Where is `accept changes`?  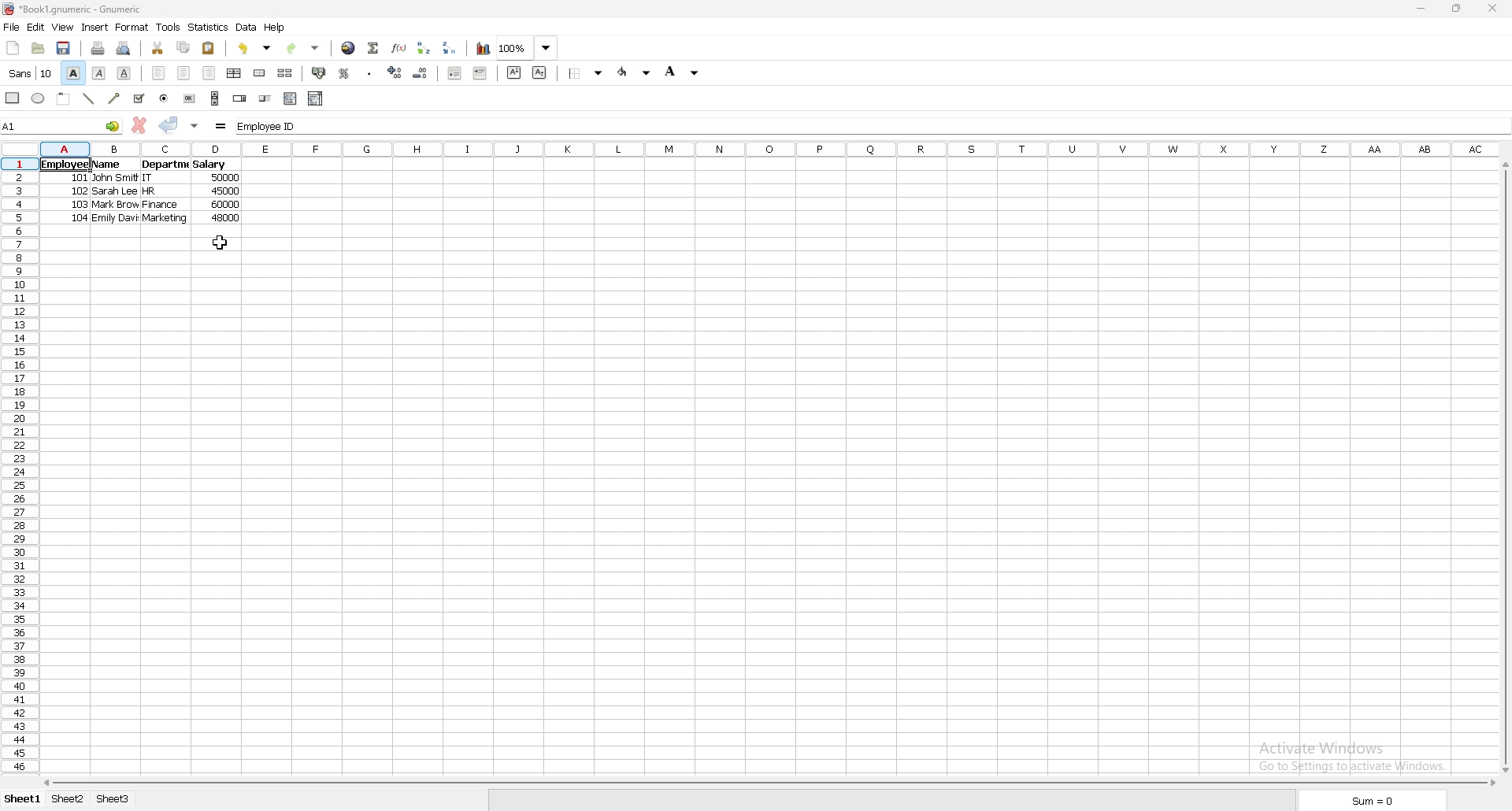 accept changes is located at coordinates (169, 125).